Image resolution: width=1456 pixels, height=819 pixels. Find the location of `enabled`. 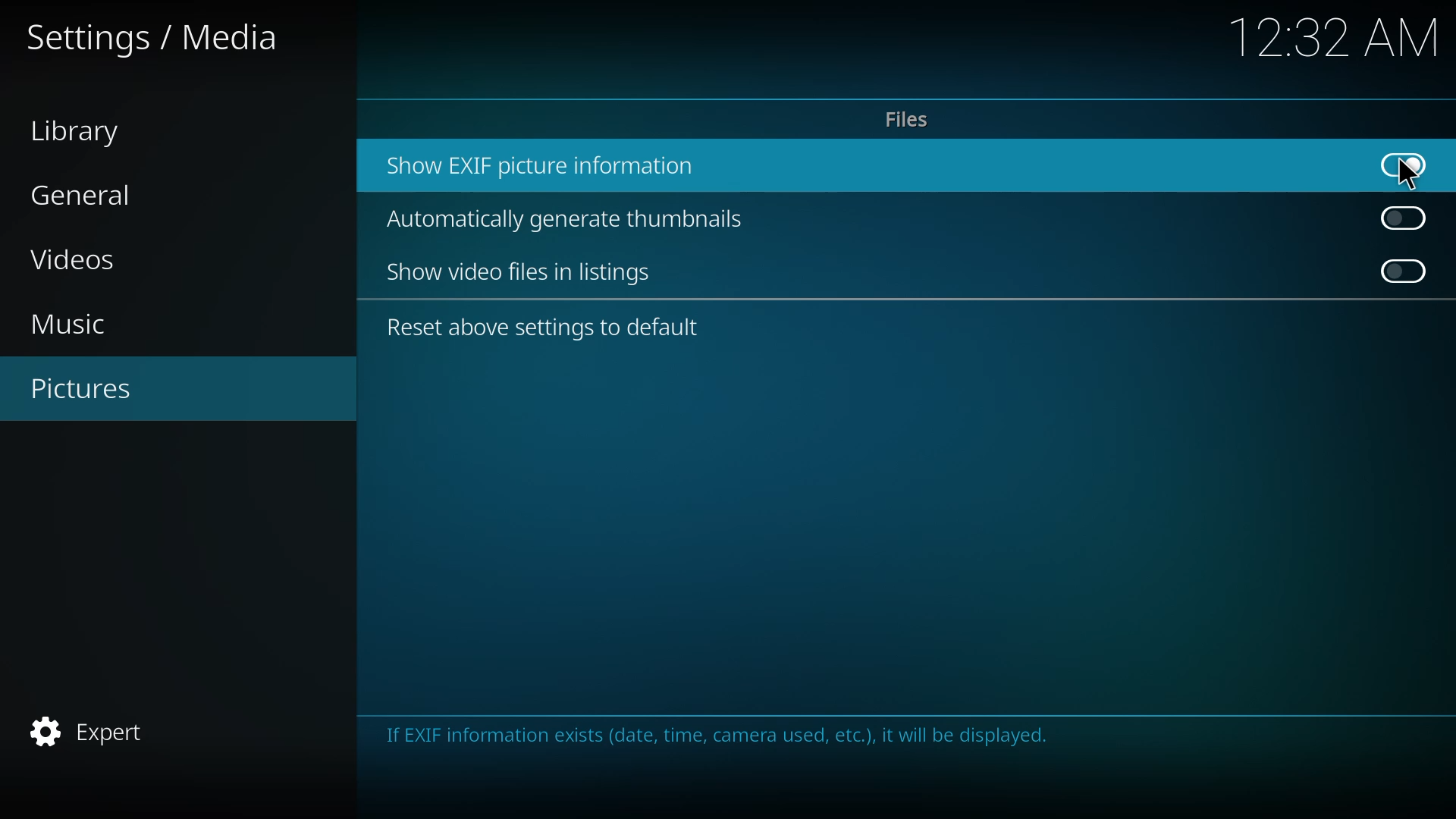

enabled is located at coordinates (1401, 165).